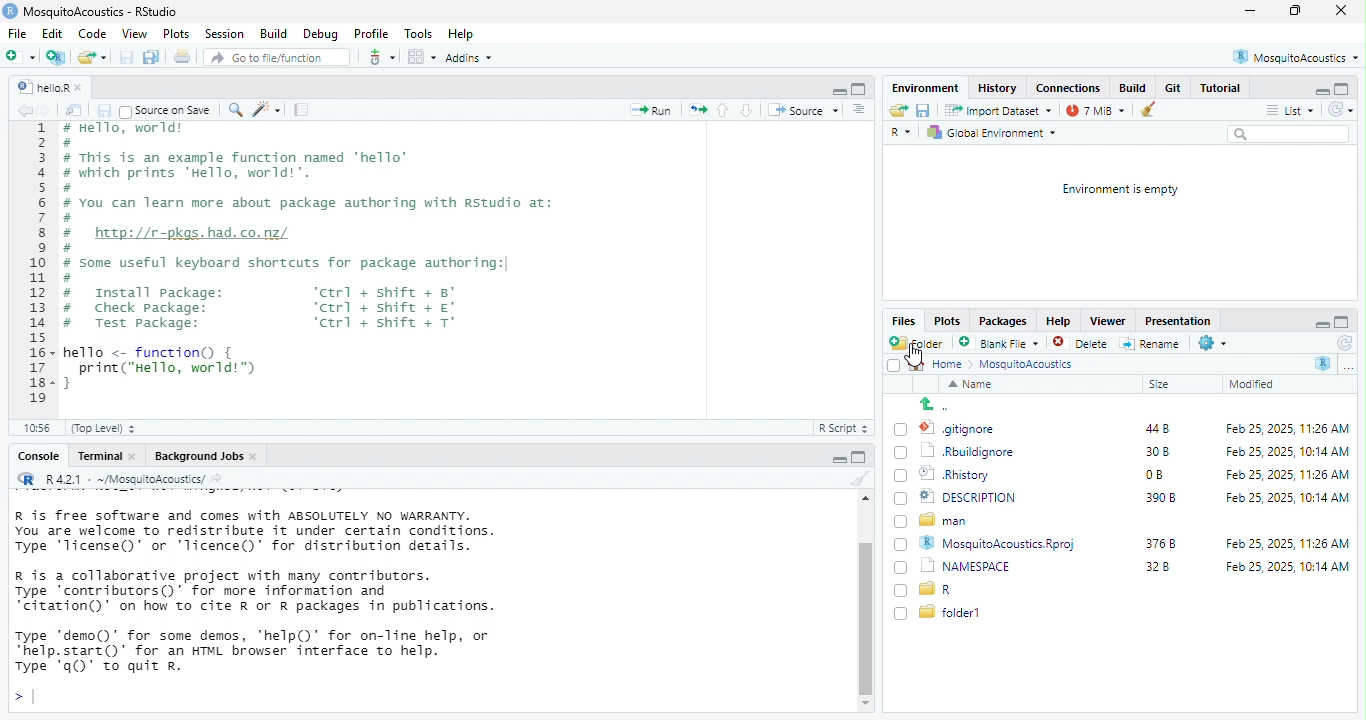 The width and height of the screenshot is (1366, 720). I want to click on name, so click(972, 385).